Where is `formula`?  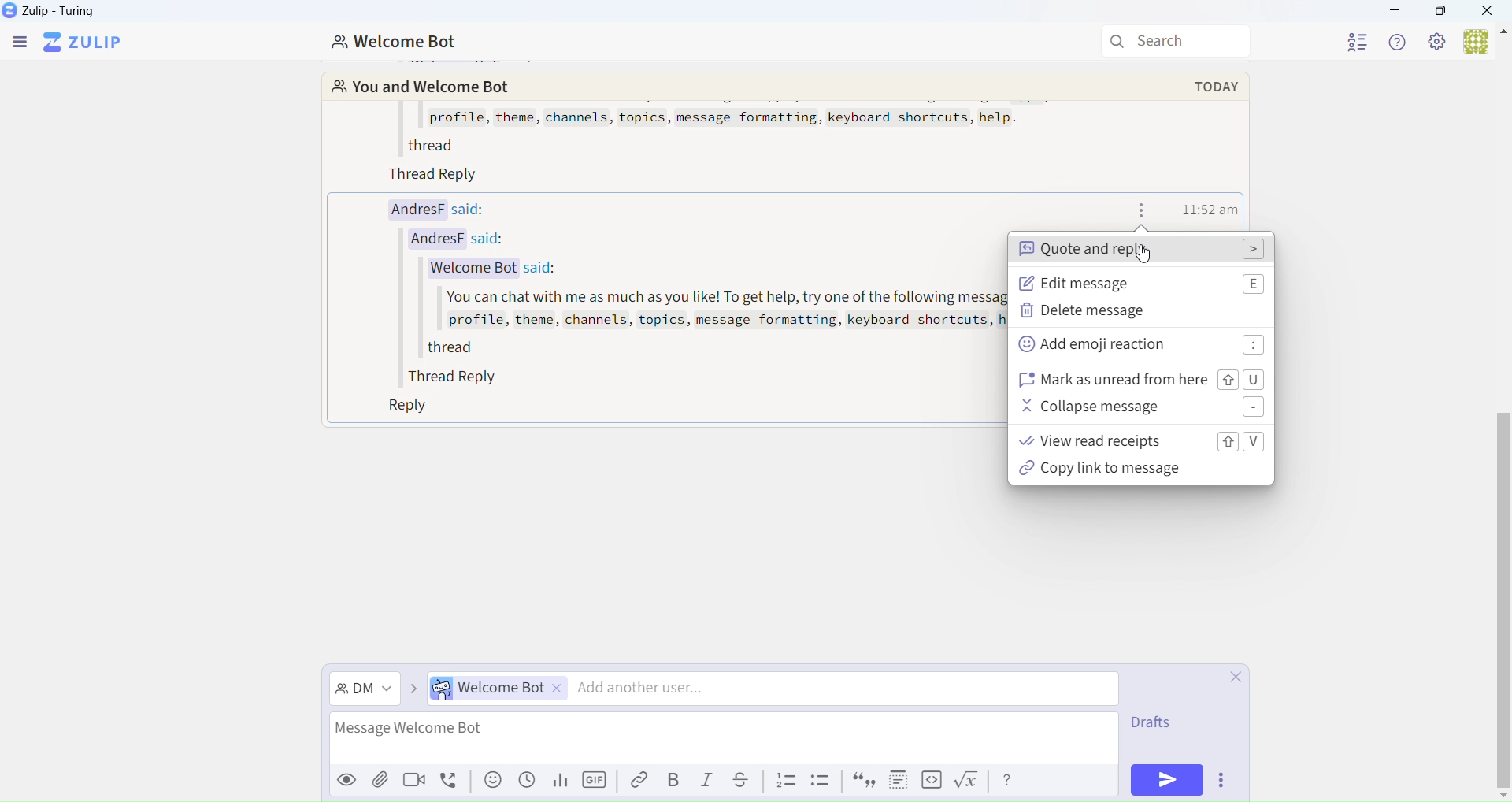 formula is located at coordinates (970, 782).